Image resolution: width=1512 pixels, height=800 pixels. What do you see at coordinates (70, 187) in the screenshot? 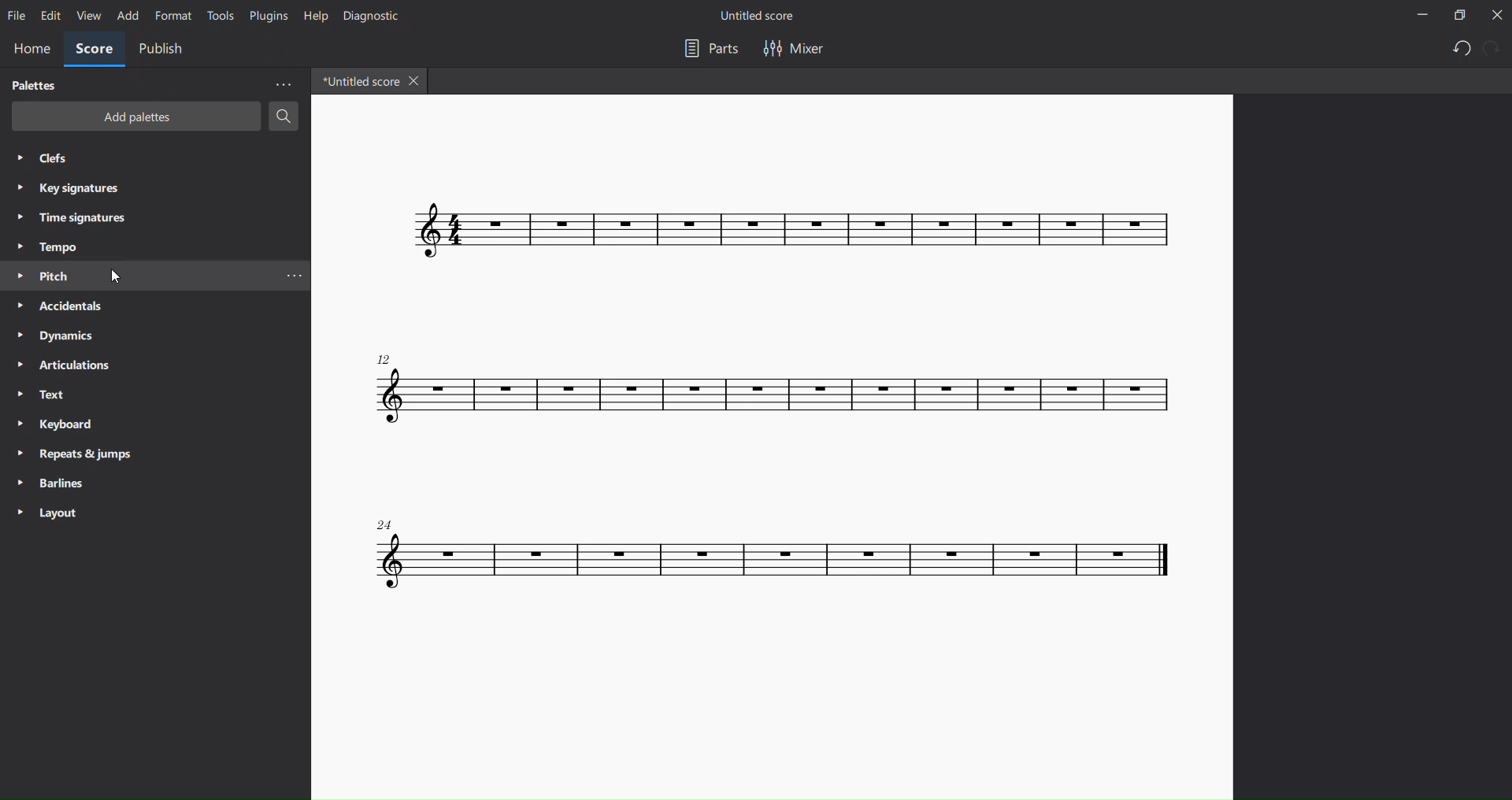
I see `key signatures` at bounding box center [70, 187].